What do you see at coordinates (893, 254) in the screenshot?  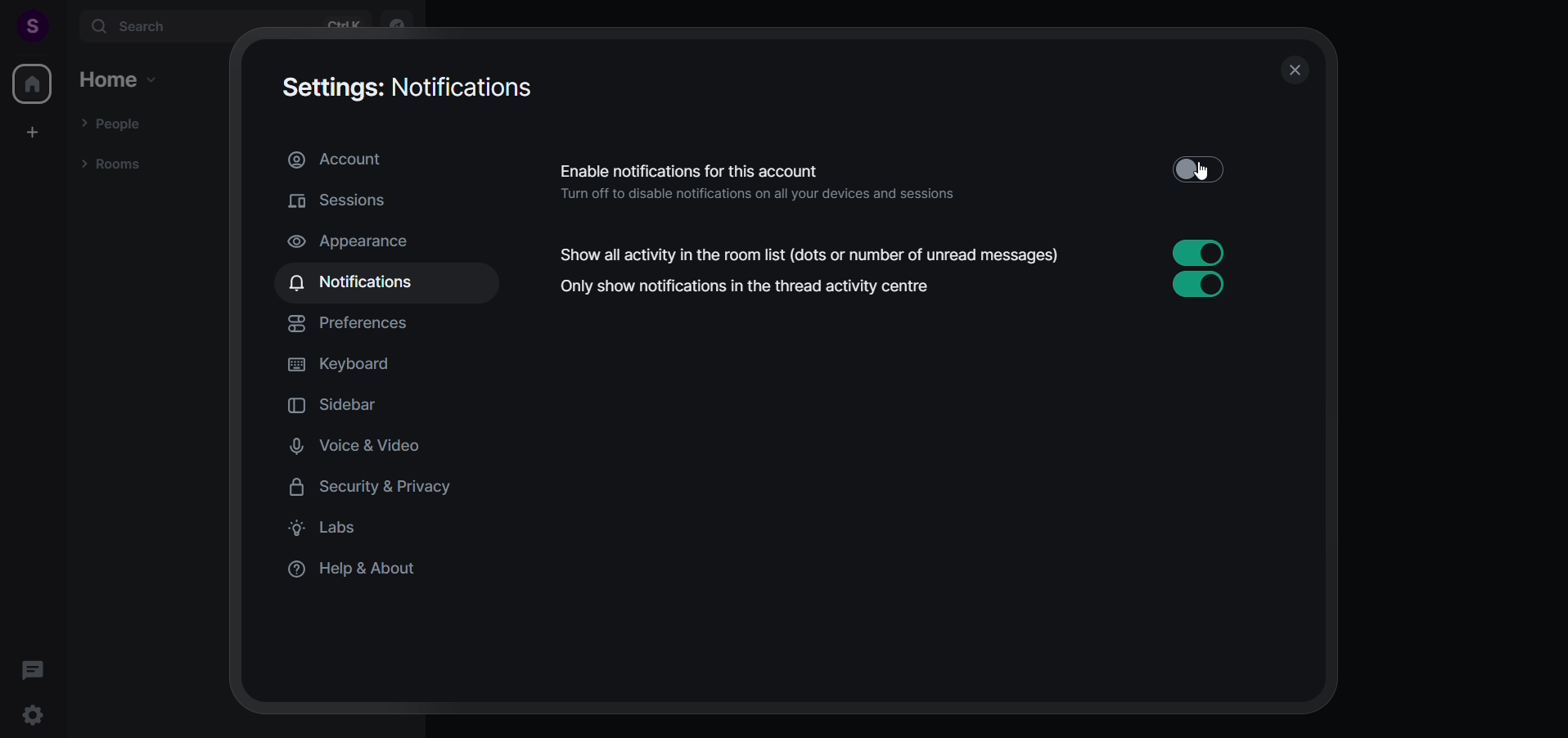 I see `show all activity in the room list` at bounding box center [893, 254].